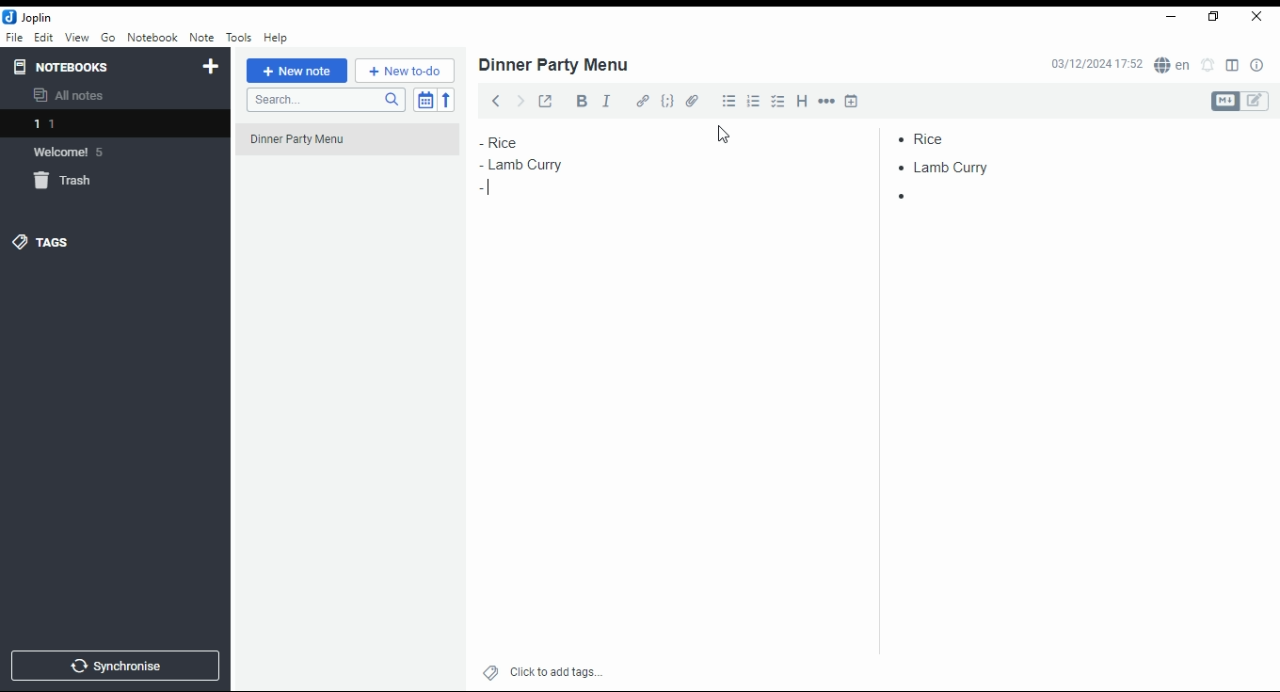  What do you see at coordinates (544, 100) in the screenshot?
I see `toggle external editing` at bounding box center [544, 100].